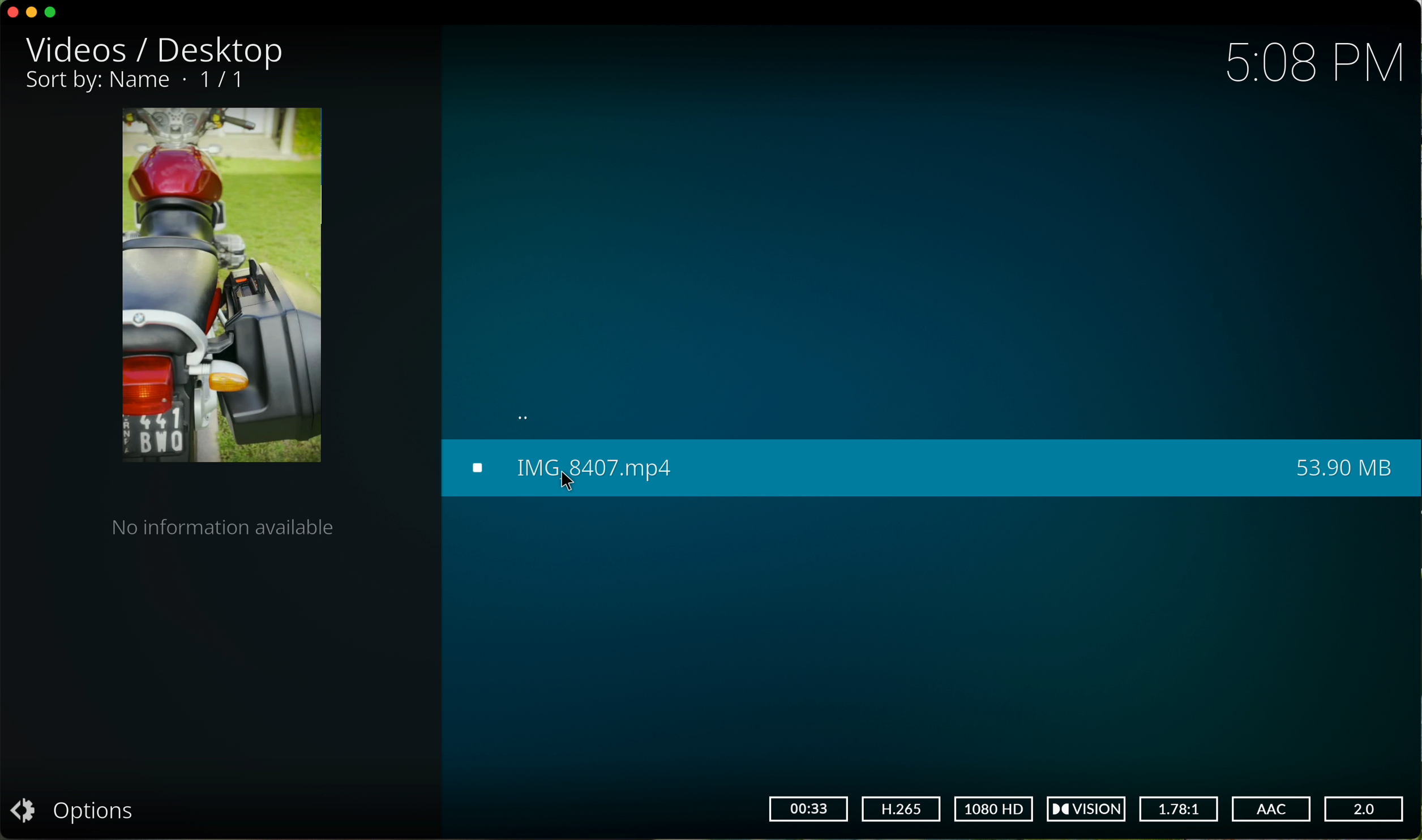 Image resolution: width=1422 pixels, height=840 pixels. Describe the element at coordinates (1366, 810) in the screenshot. I see `2.0` at that location.